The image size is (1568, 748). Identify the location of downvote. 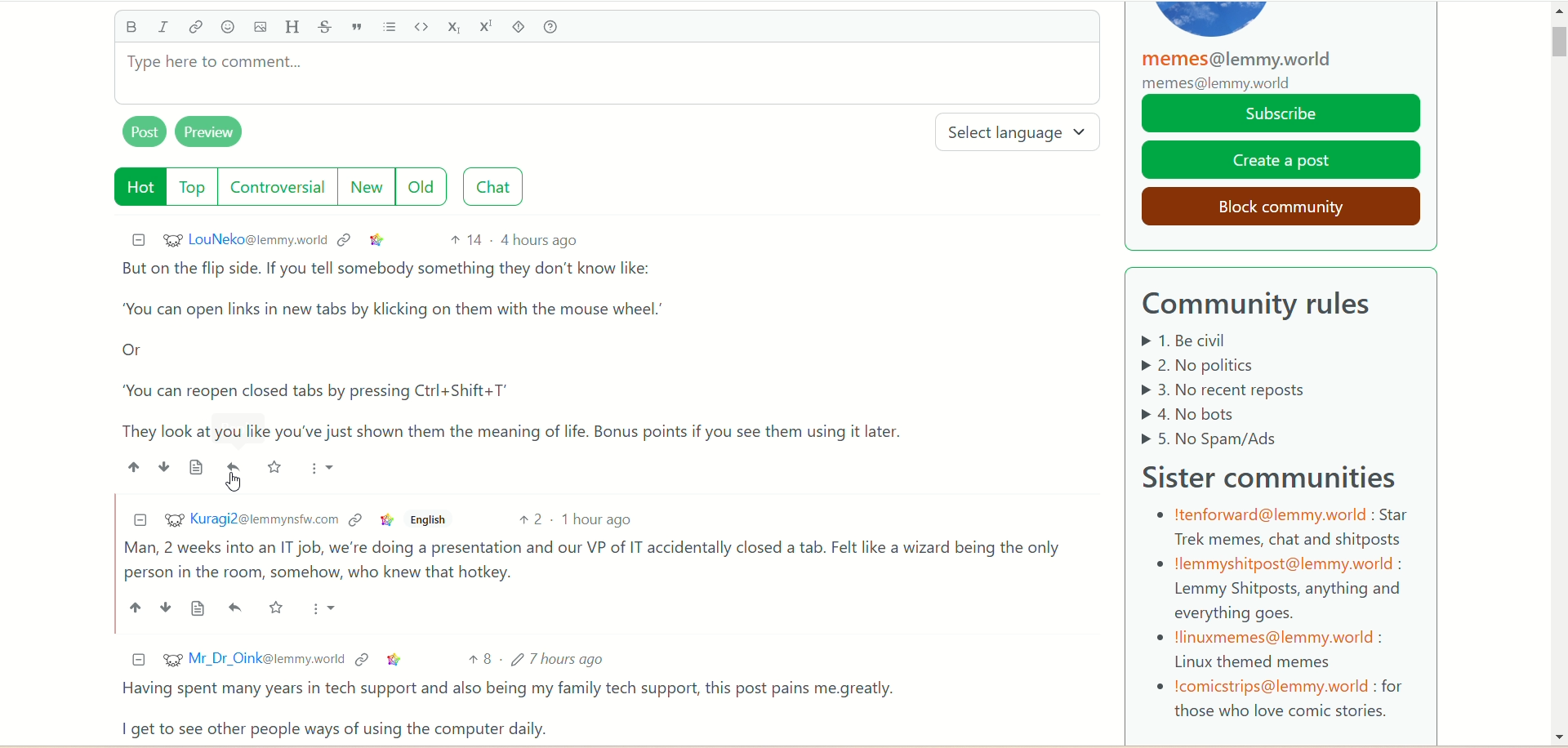
(159, 466).